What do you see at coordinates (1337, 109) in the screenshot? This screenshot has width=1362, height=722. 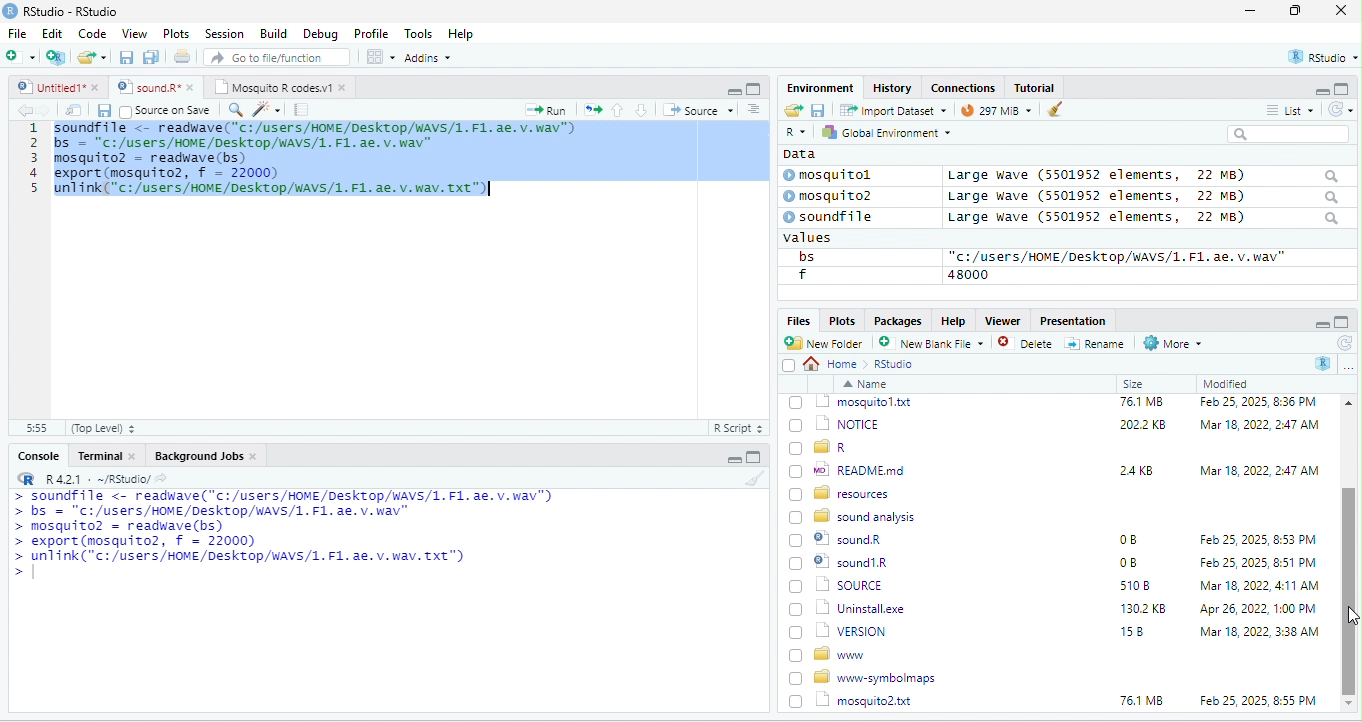 I see `refresh` at bounding box center [1337, 109].